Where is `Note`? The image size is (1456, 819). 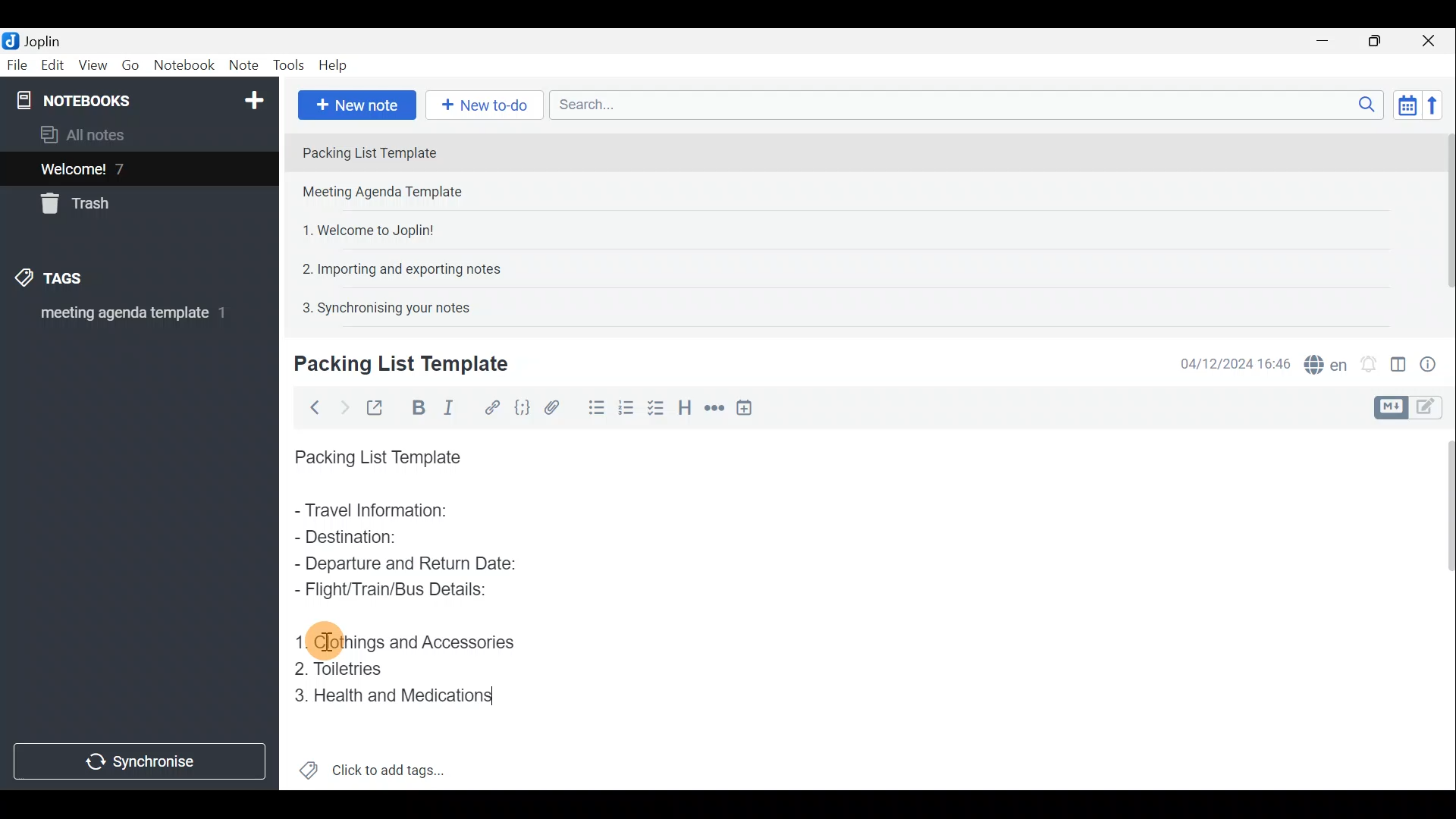
Note is located at coordinates (243, 66).